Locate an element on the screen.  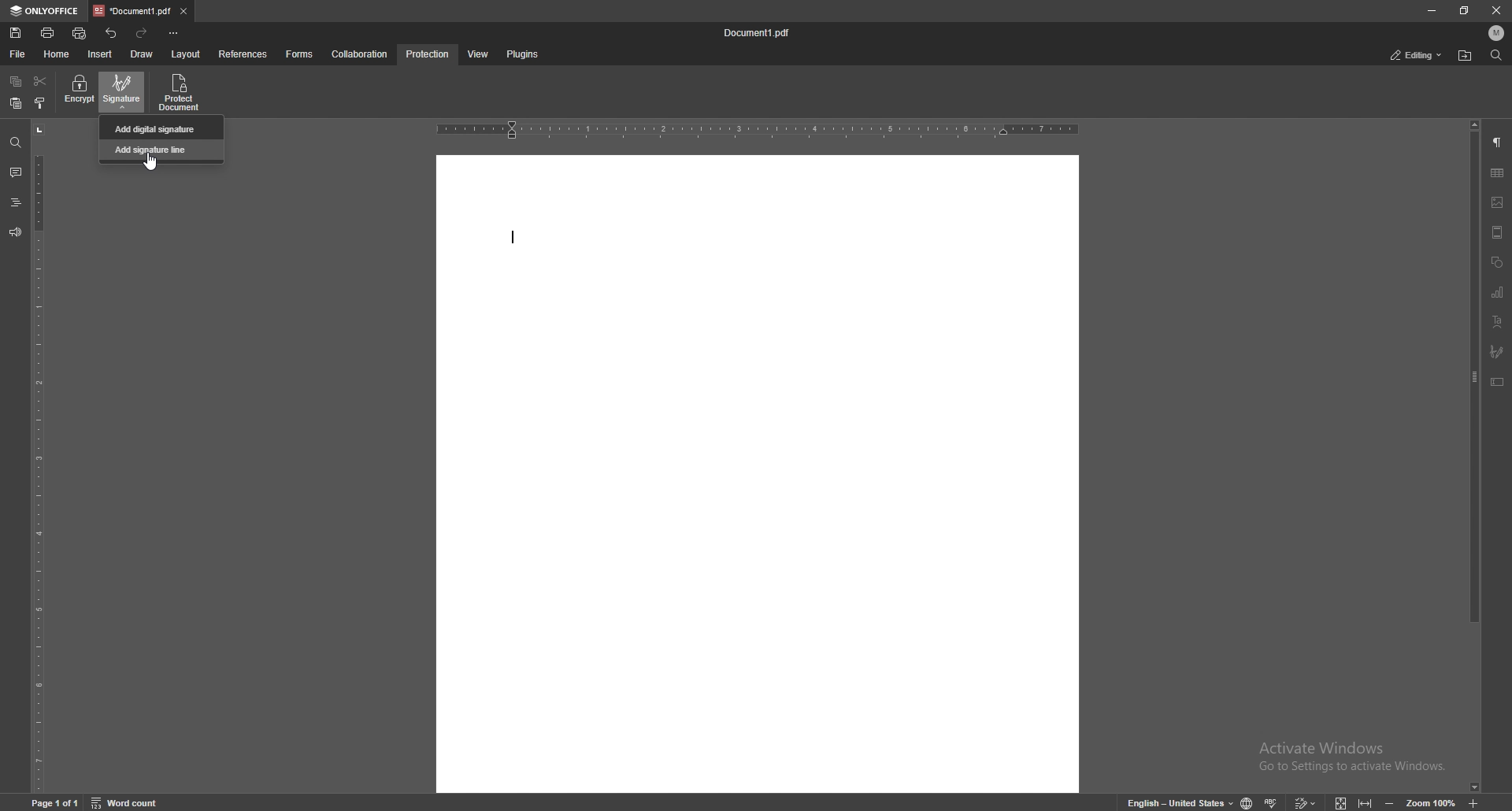
home is located at coordinates (59, 54).